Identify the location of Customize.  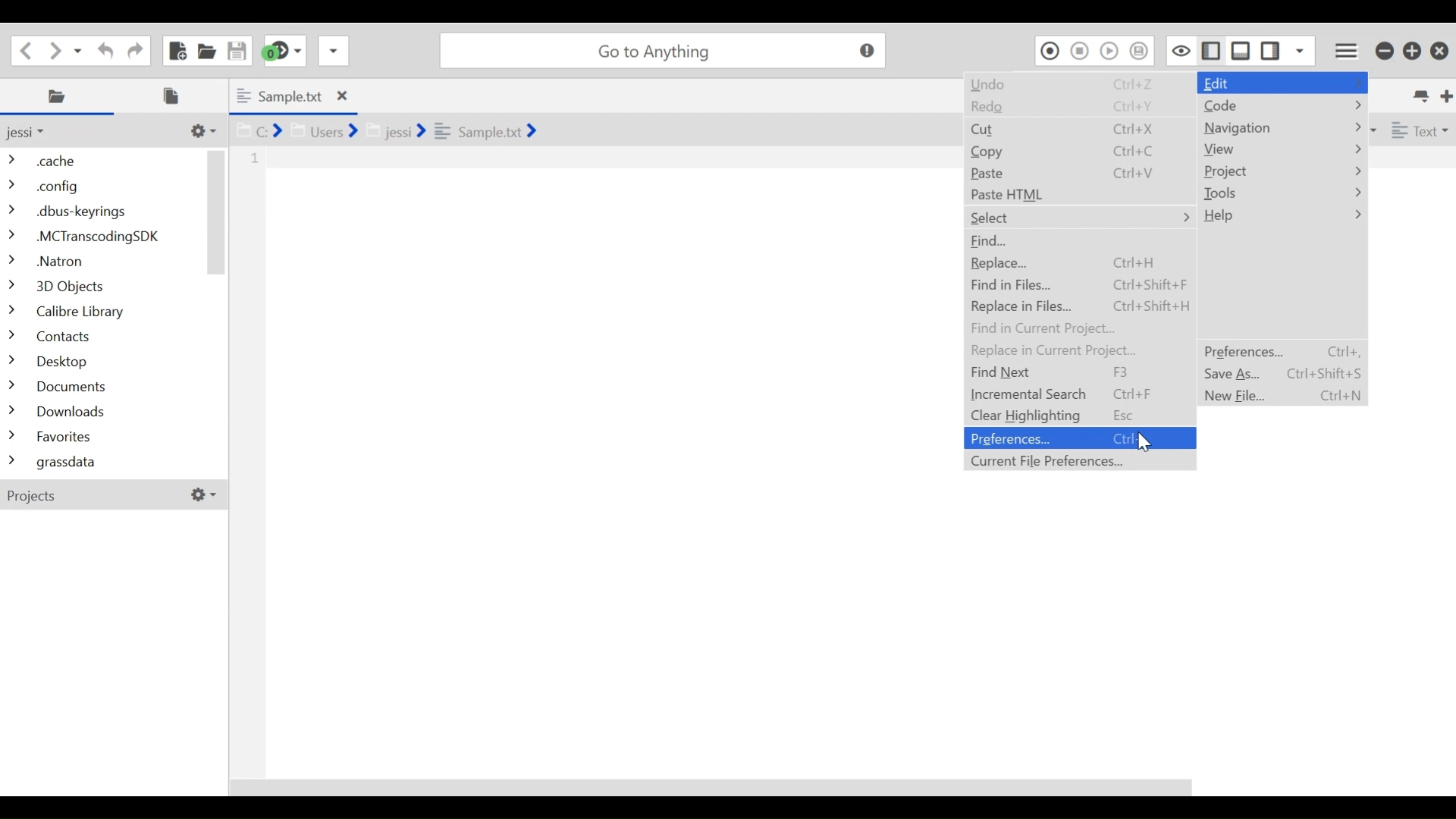
(201, 130).